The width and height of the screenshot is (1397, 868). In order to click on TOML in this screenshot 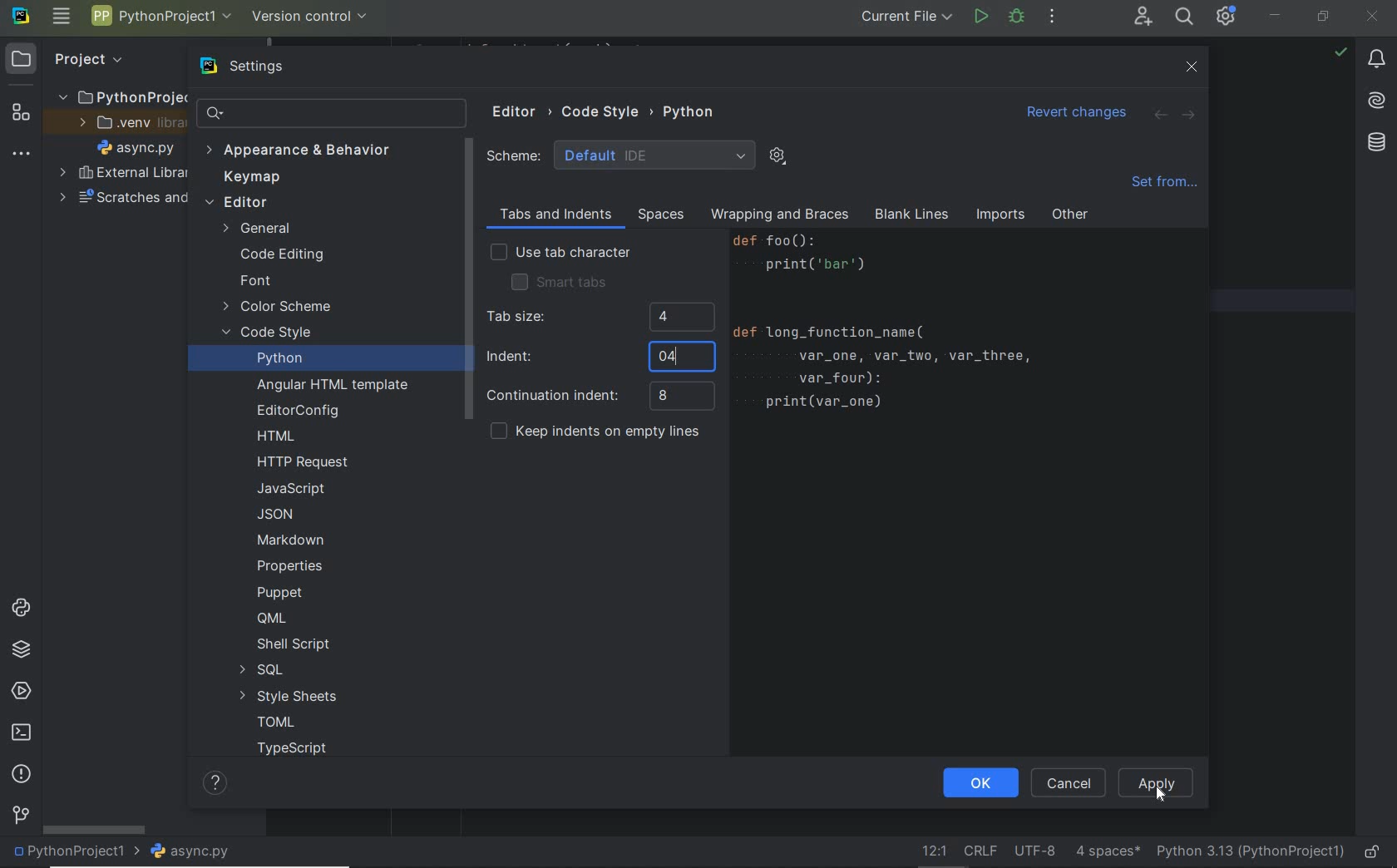, I will do `click(274, 723)`.